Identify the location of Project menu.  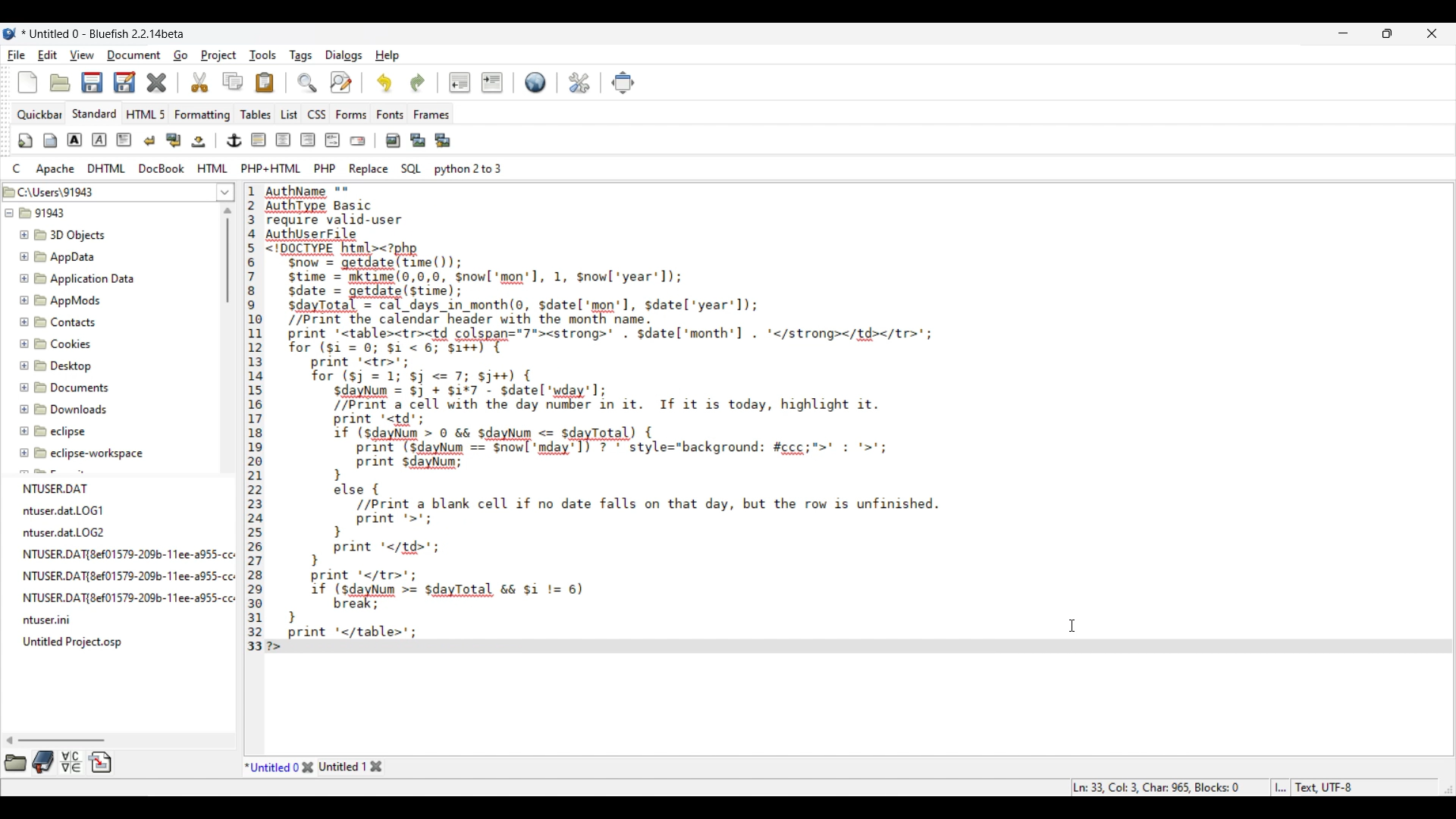
(218, 55).